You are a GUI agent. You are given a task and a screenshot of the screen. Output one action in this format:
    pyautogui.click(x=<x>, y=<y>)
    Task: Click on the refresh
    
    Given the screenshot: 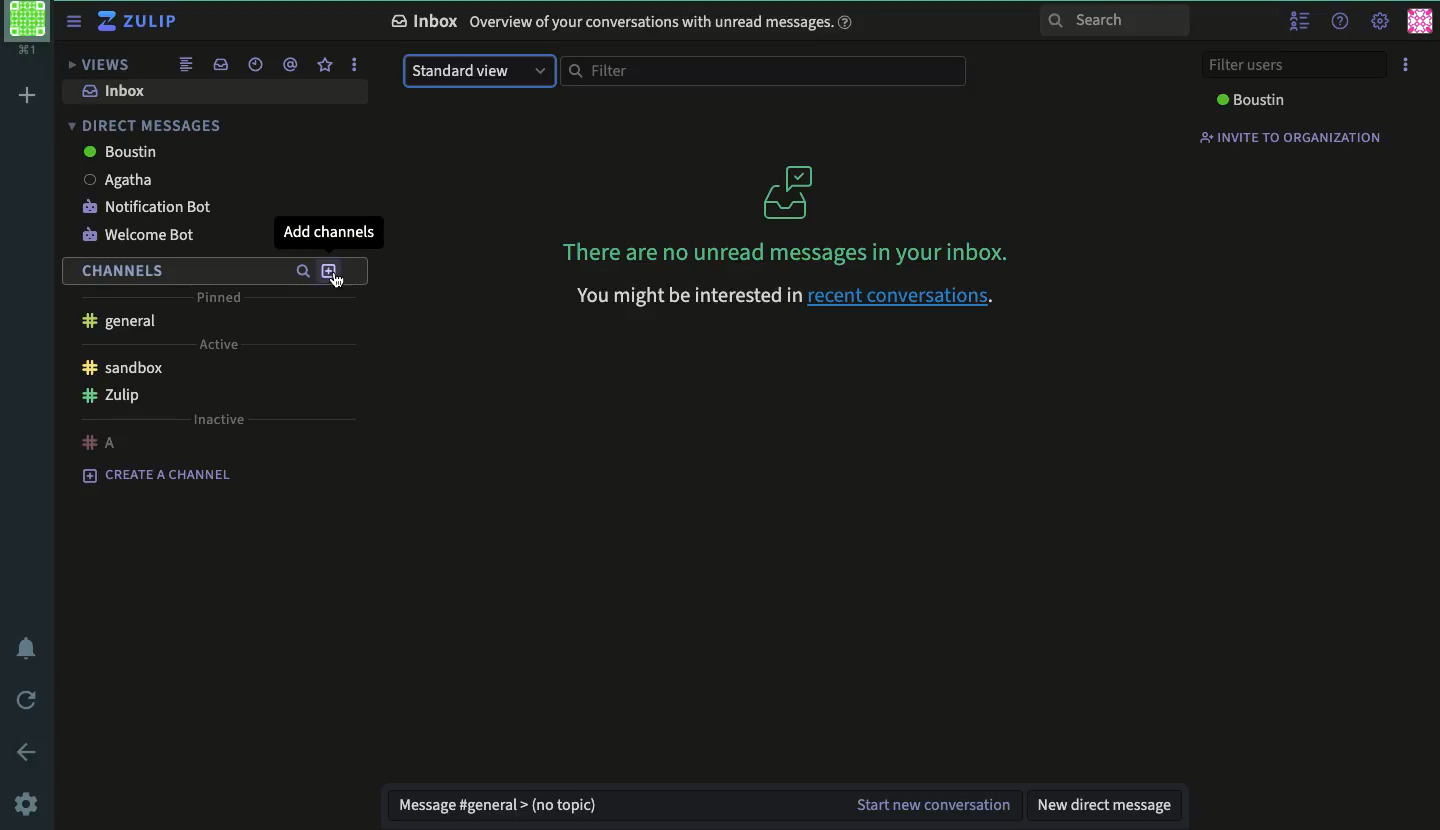 What is the action you would take?
    pyautogui.click(x=29, y=697)
    